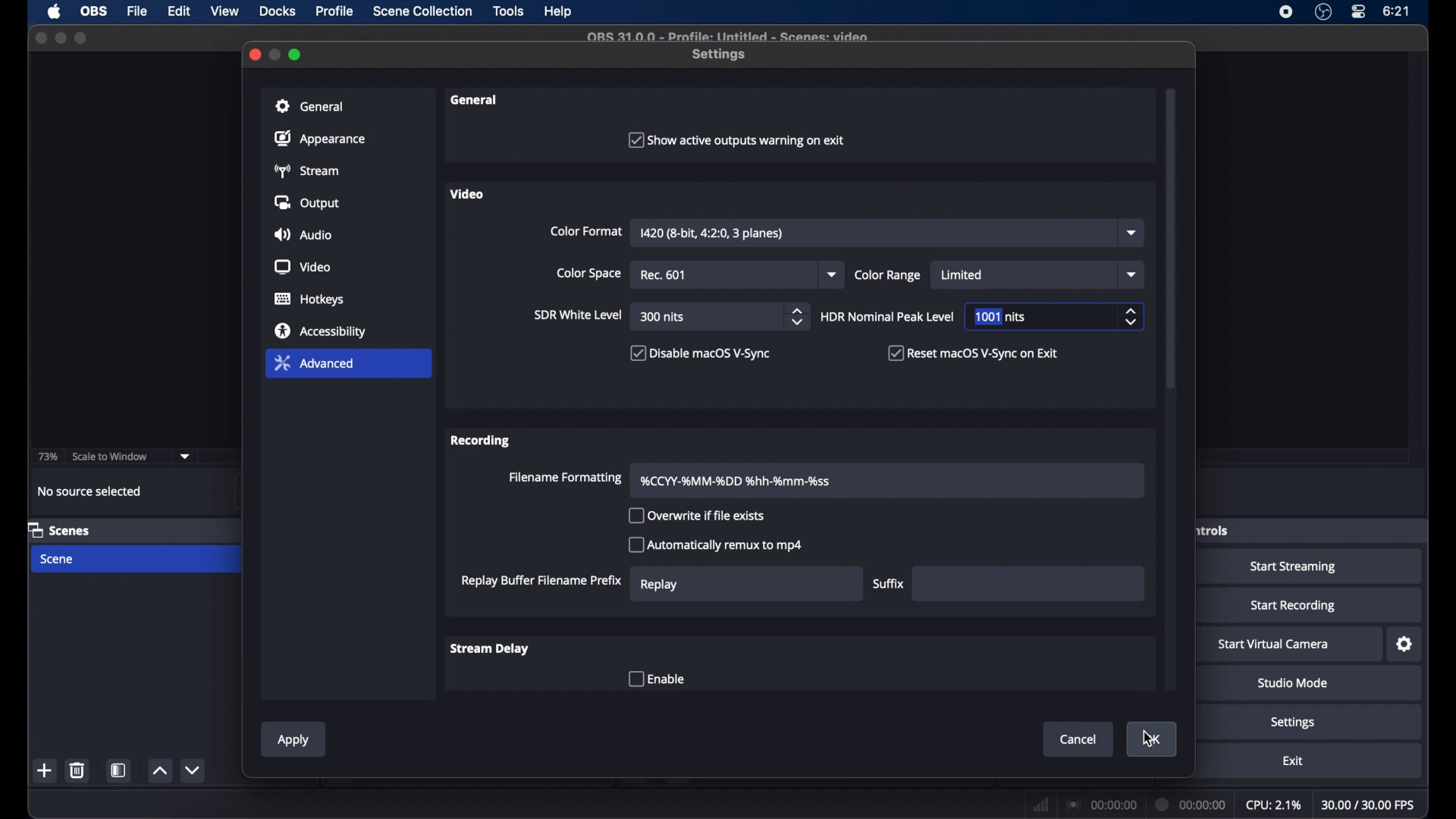 The width and height of the screenshot is (1456, 819). Describe the element at coordinates (510, 11) in the screenshot. I see `tools` at that location.